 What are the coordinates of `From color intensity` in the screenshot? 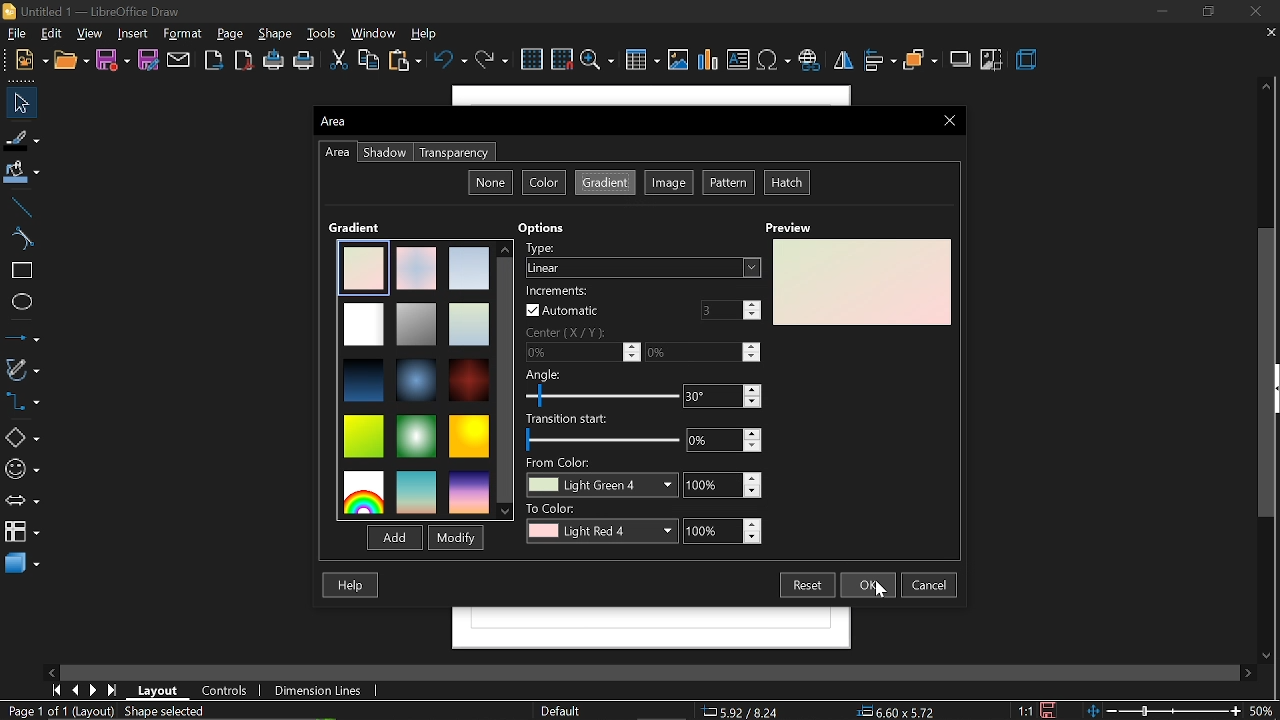 It's located at (721, 485).